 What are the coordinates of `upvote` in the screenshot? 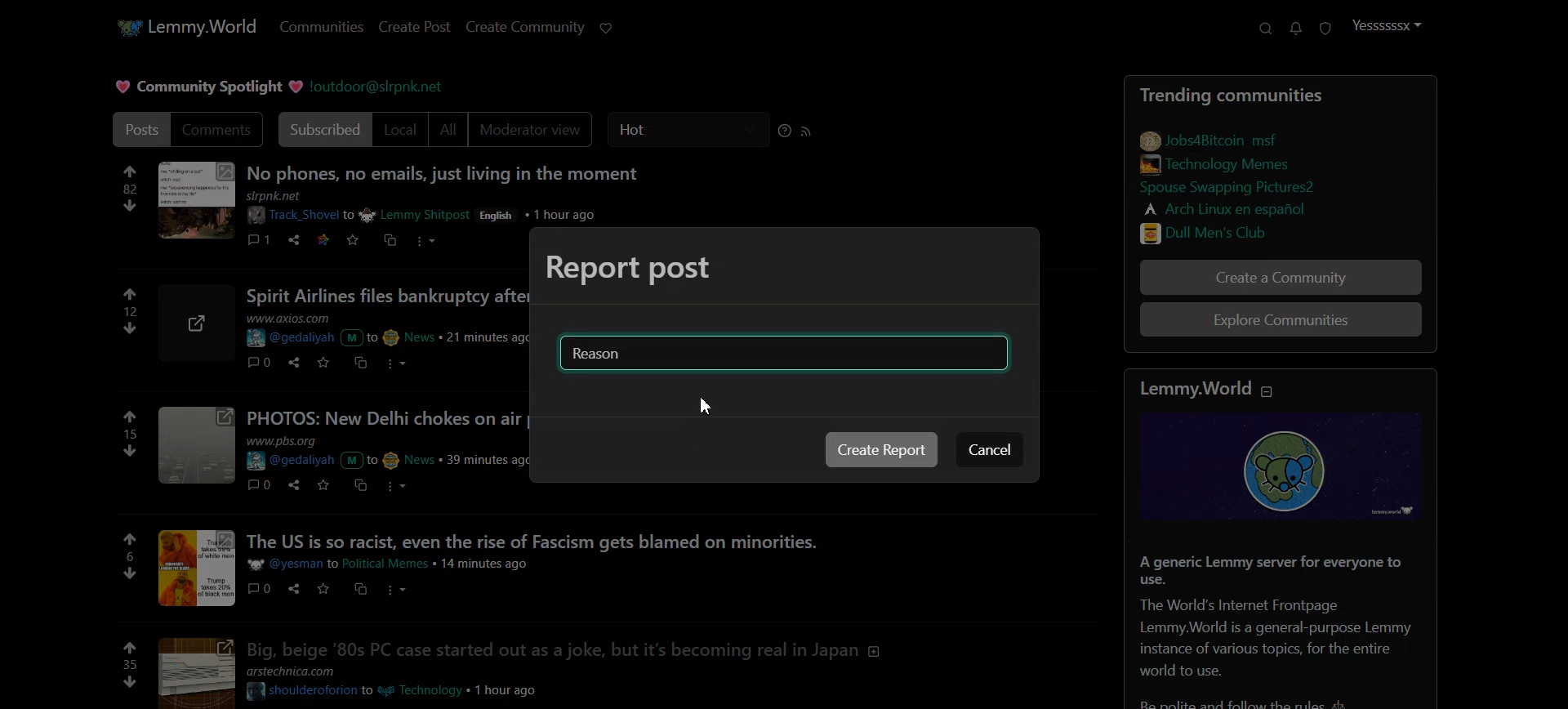 It's located at (131, 539).